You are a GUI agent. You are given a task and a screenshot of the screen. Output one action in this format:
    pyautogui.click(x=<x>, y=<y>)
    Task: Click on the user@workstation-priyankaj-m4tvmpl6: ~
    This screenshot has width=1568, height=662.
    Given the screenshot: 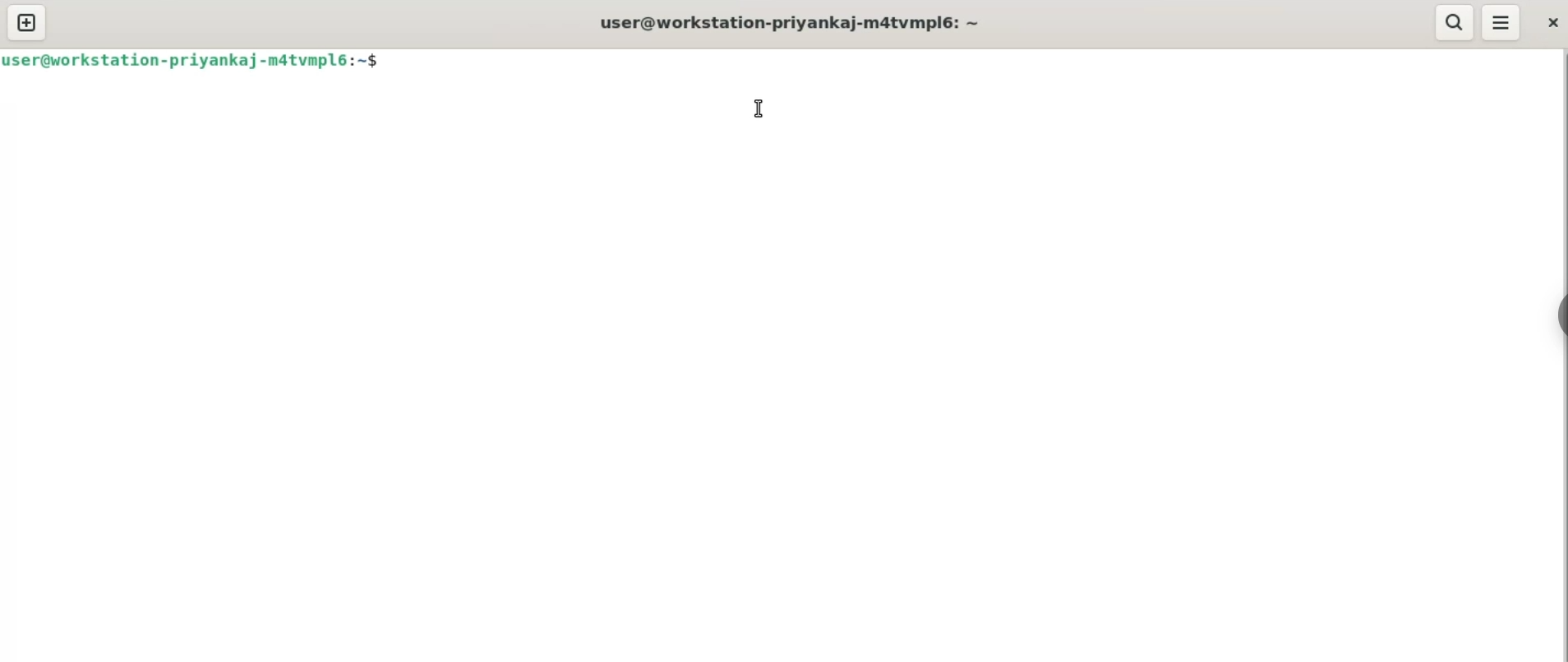 What is the action you would take?
    pyautogui.click(x=790, y=23)
    